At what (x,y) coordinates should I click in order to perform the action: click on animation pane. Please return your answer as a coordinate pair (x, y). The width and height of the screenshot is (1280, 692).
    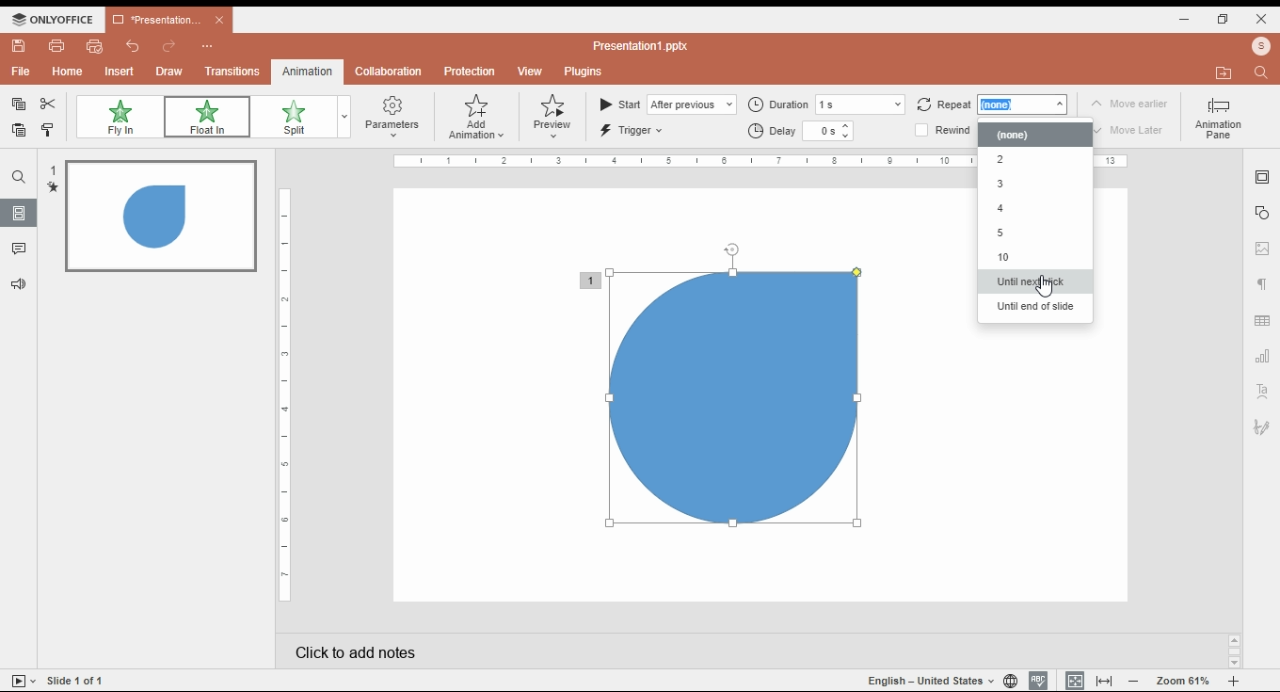
    Looking at the image, I should click on (1217, 118).